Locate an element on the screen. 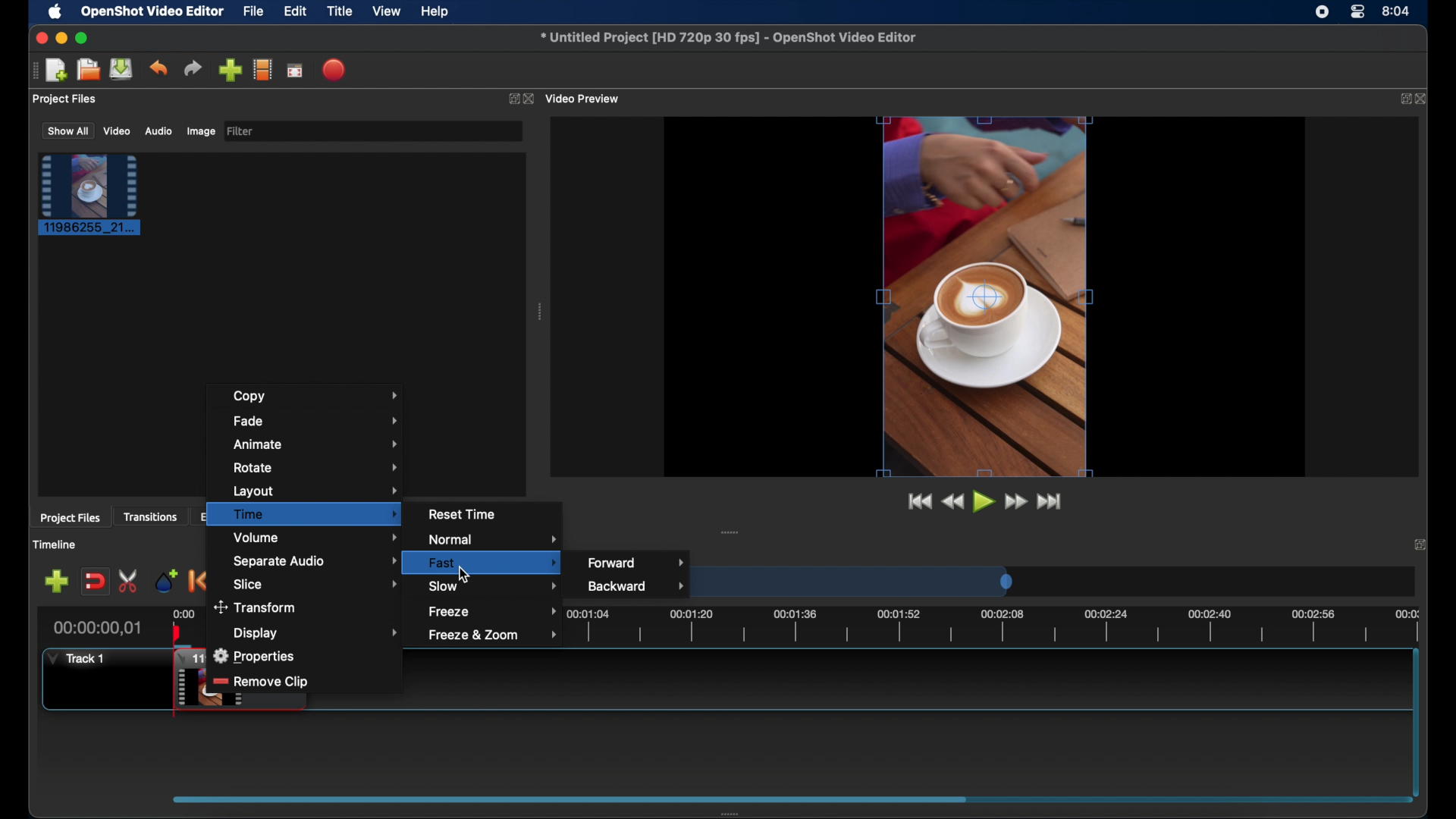  normal menu is located at coordinates (496, 540).